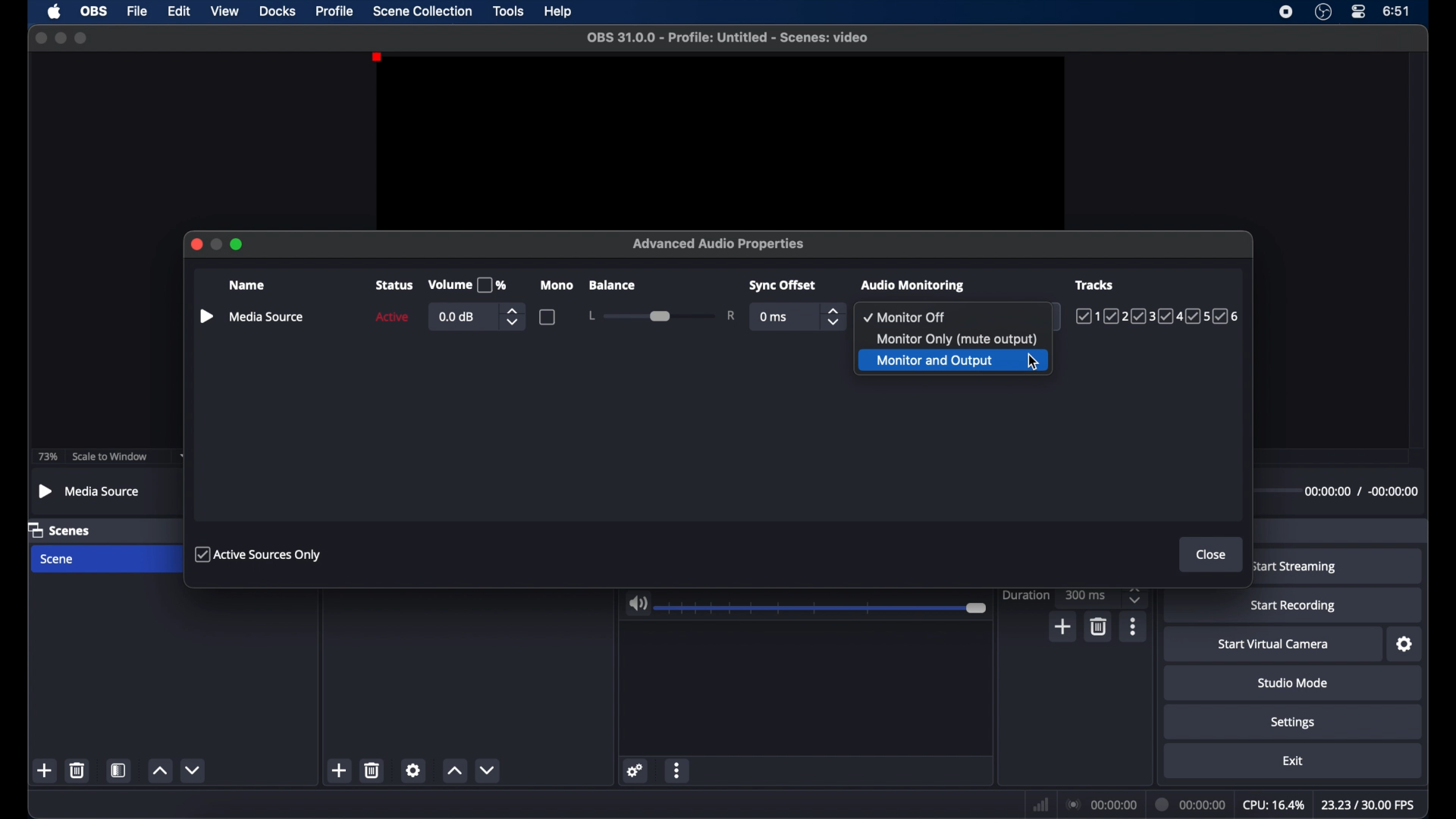  I want to click on media source, so click(89, 491).